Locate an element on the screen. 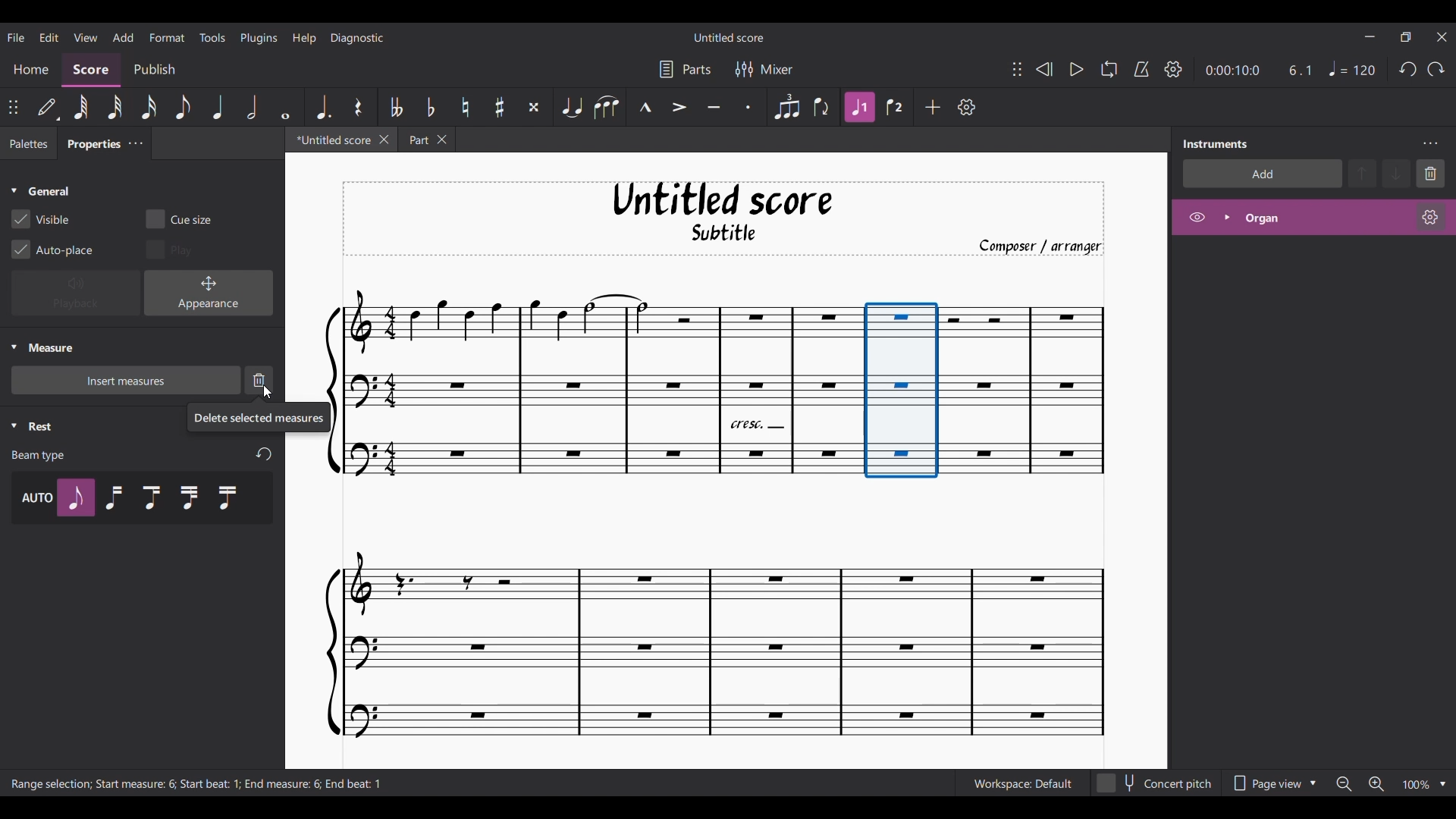 The image size is (1456, 819). Flip direction is located at coordinates (822, 107).